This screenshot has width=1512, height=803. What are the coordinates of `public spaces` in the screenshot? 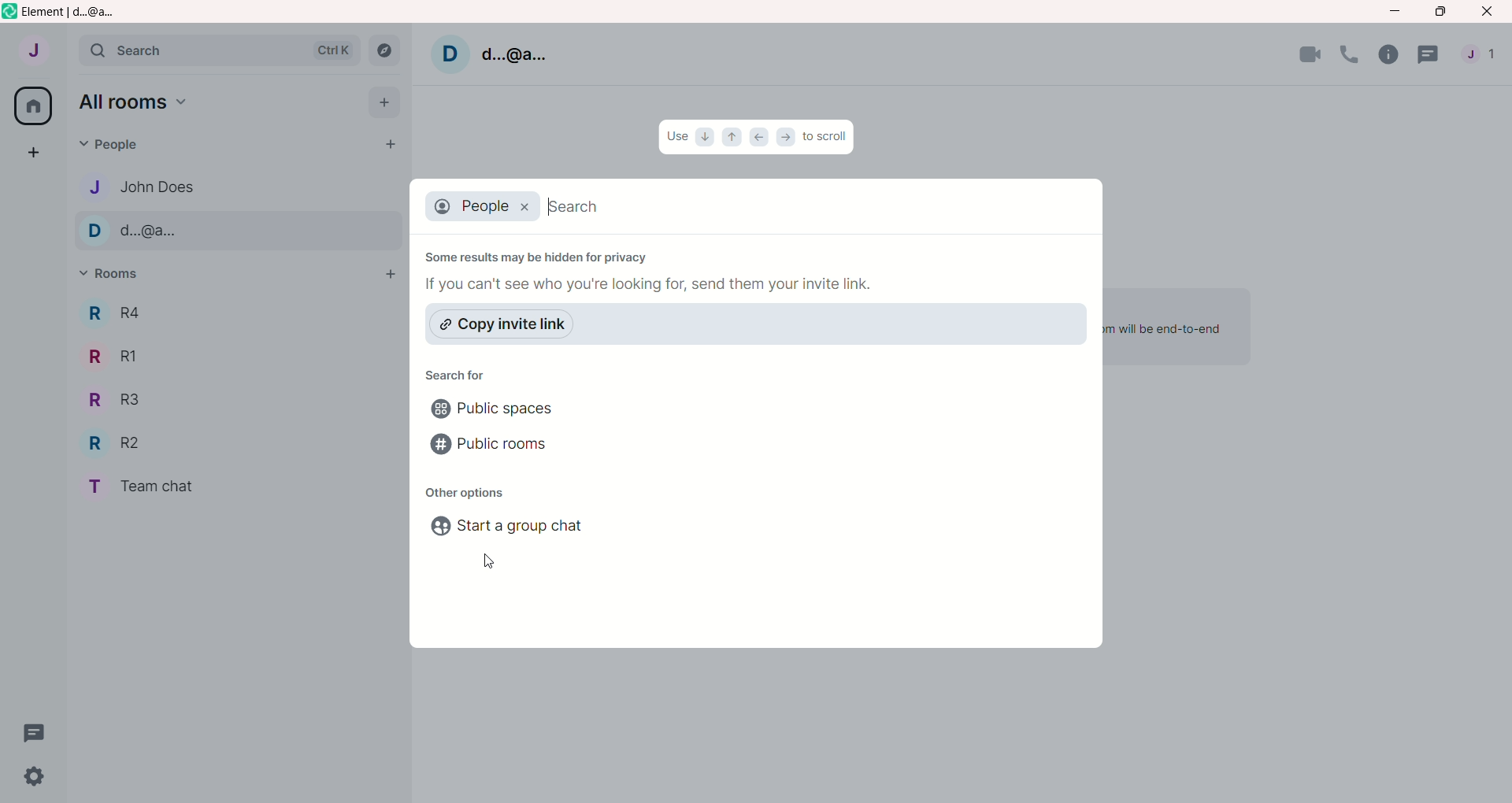 It's located at (508, 412).